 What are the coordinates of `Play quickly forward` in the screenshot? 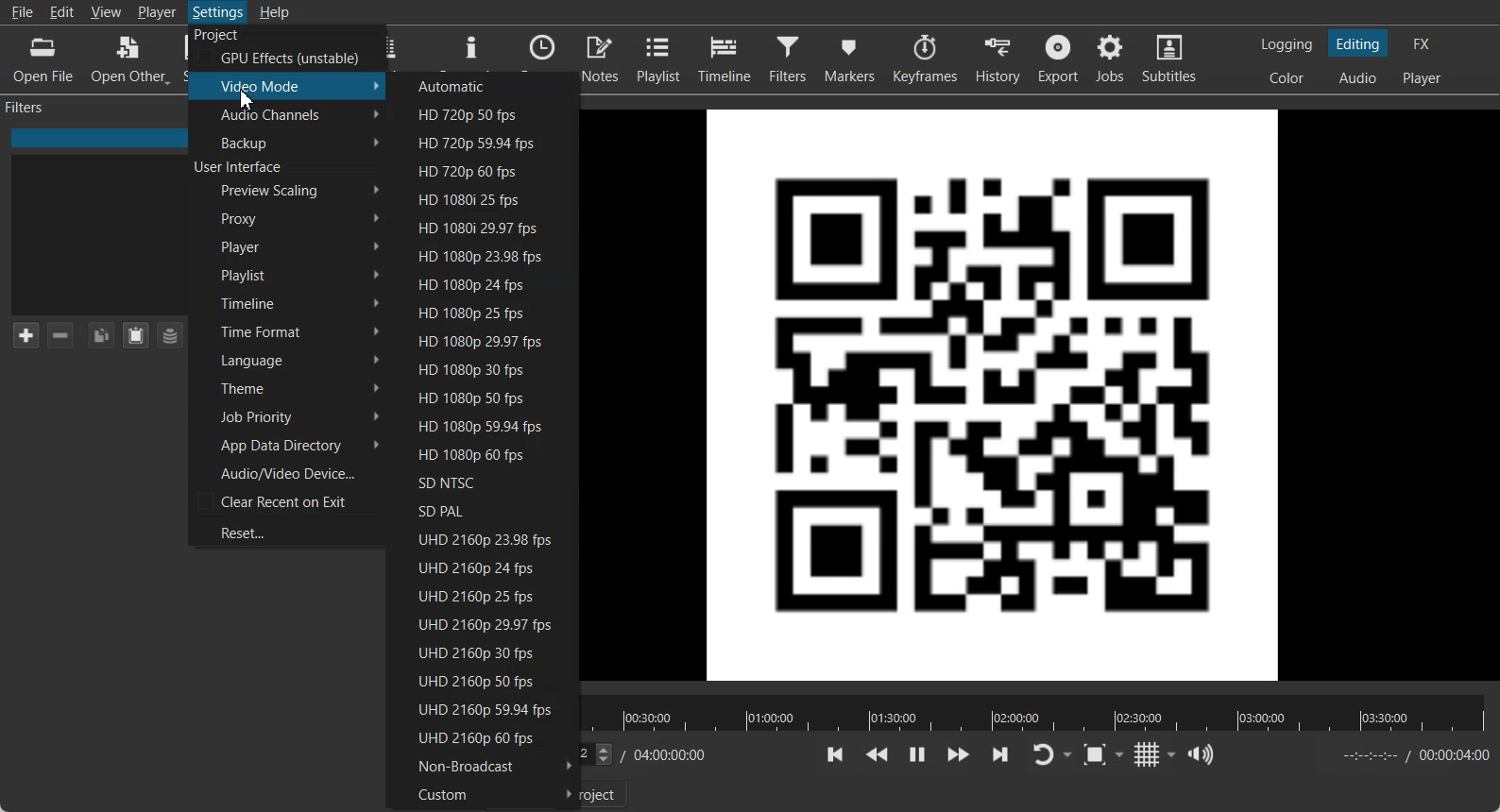 It's located at (959, 755).